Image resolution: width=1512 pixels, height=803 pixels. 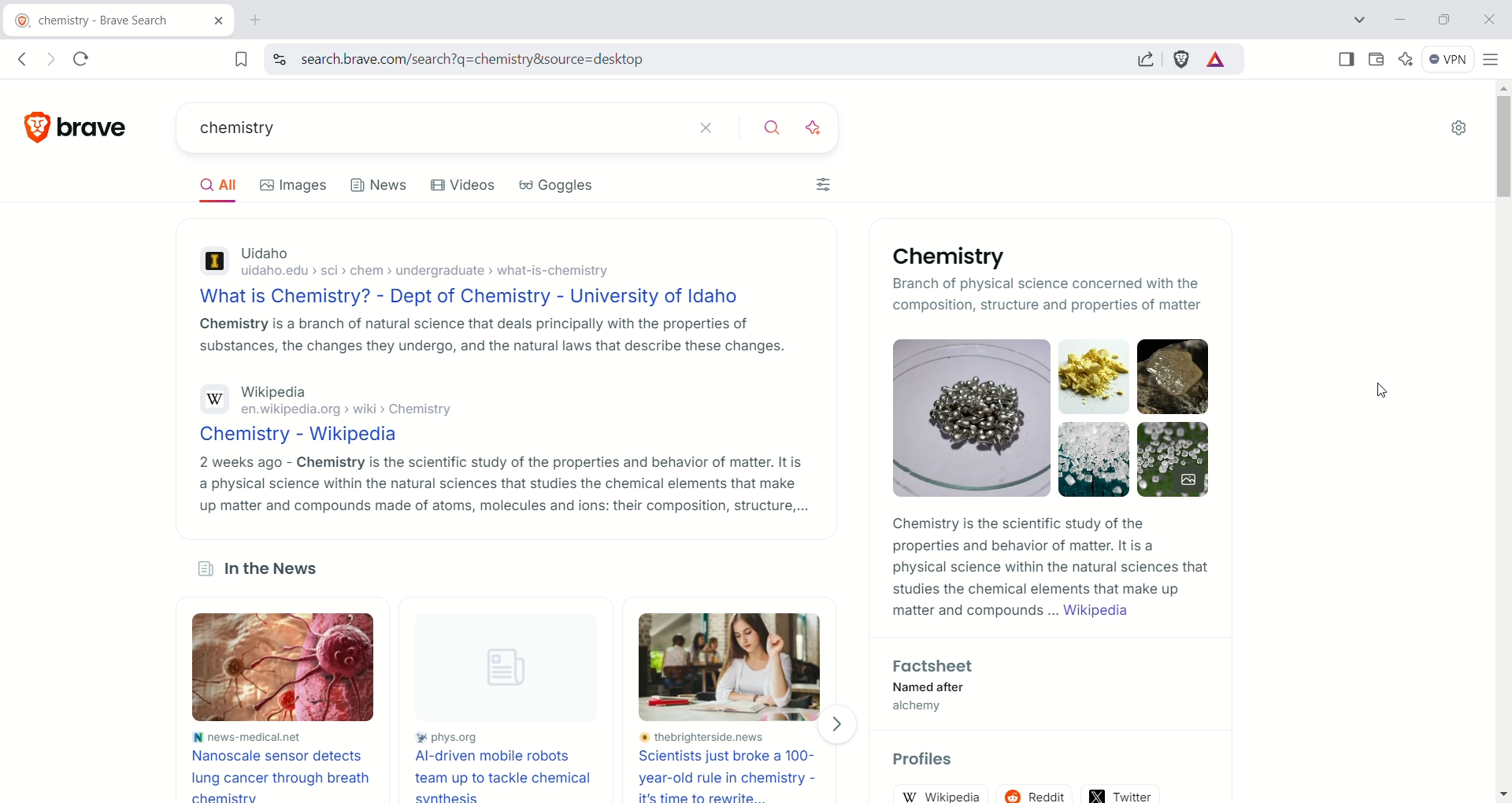 I want to click on cursor, so click(x=1380, y=390).